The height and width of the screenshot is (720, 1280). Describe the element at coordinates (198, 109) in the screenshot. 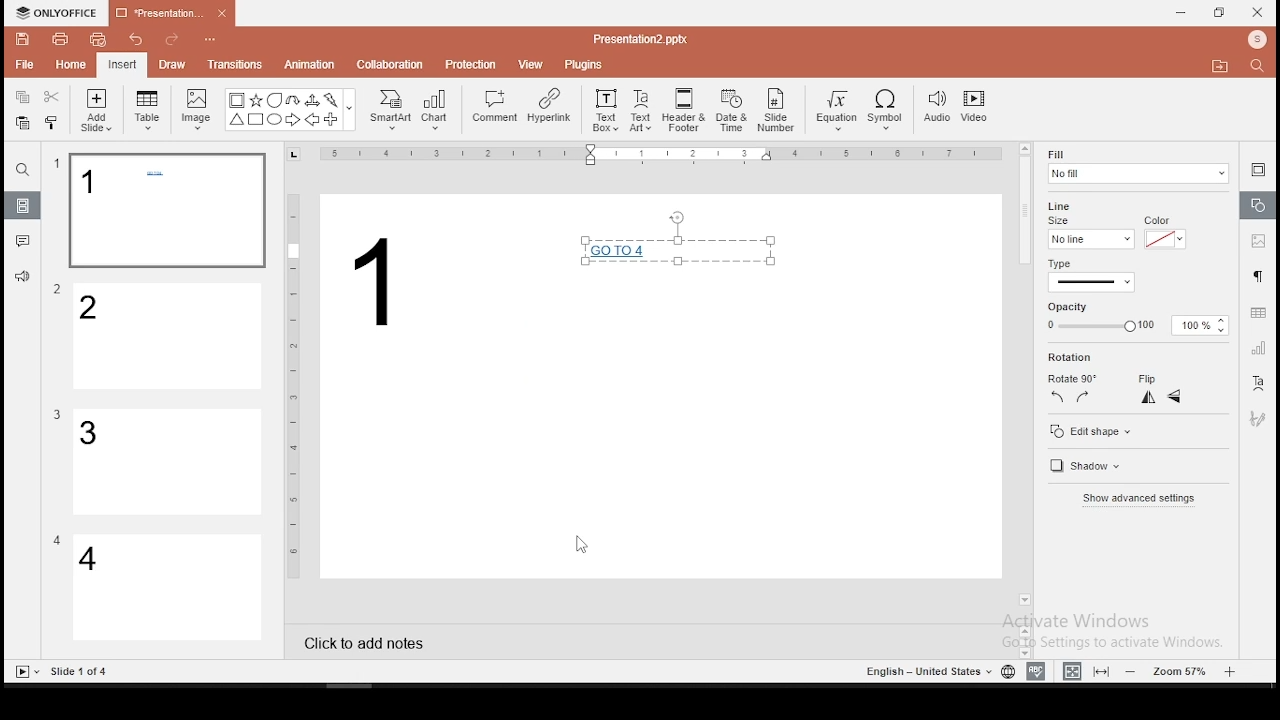

I see `image` at that location.